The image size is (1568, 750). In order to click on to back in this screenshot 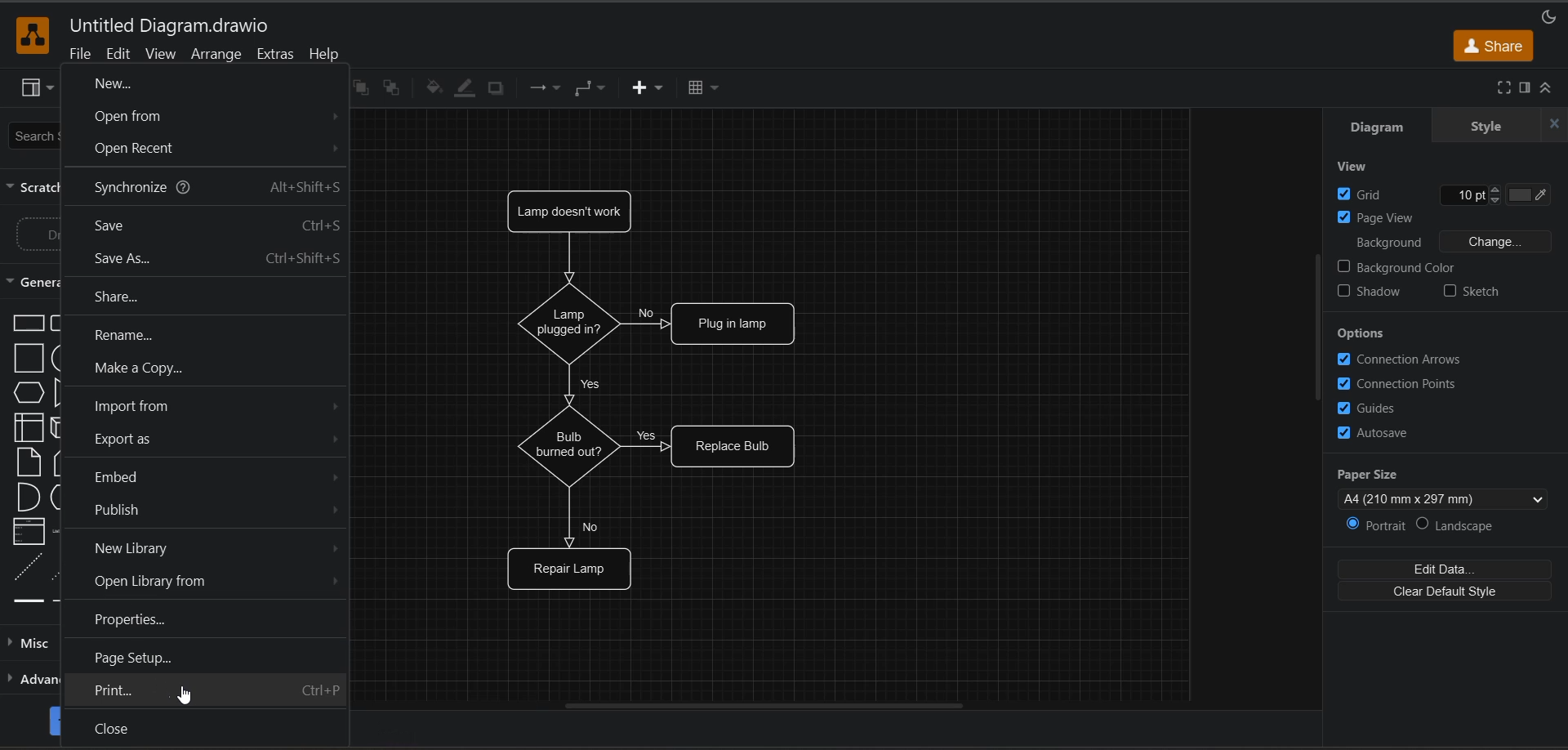, I will do `click(390, 87)`.